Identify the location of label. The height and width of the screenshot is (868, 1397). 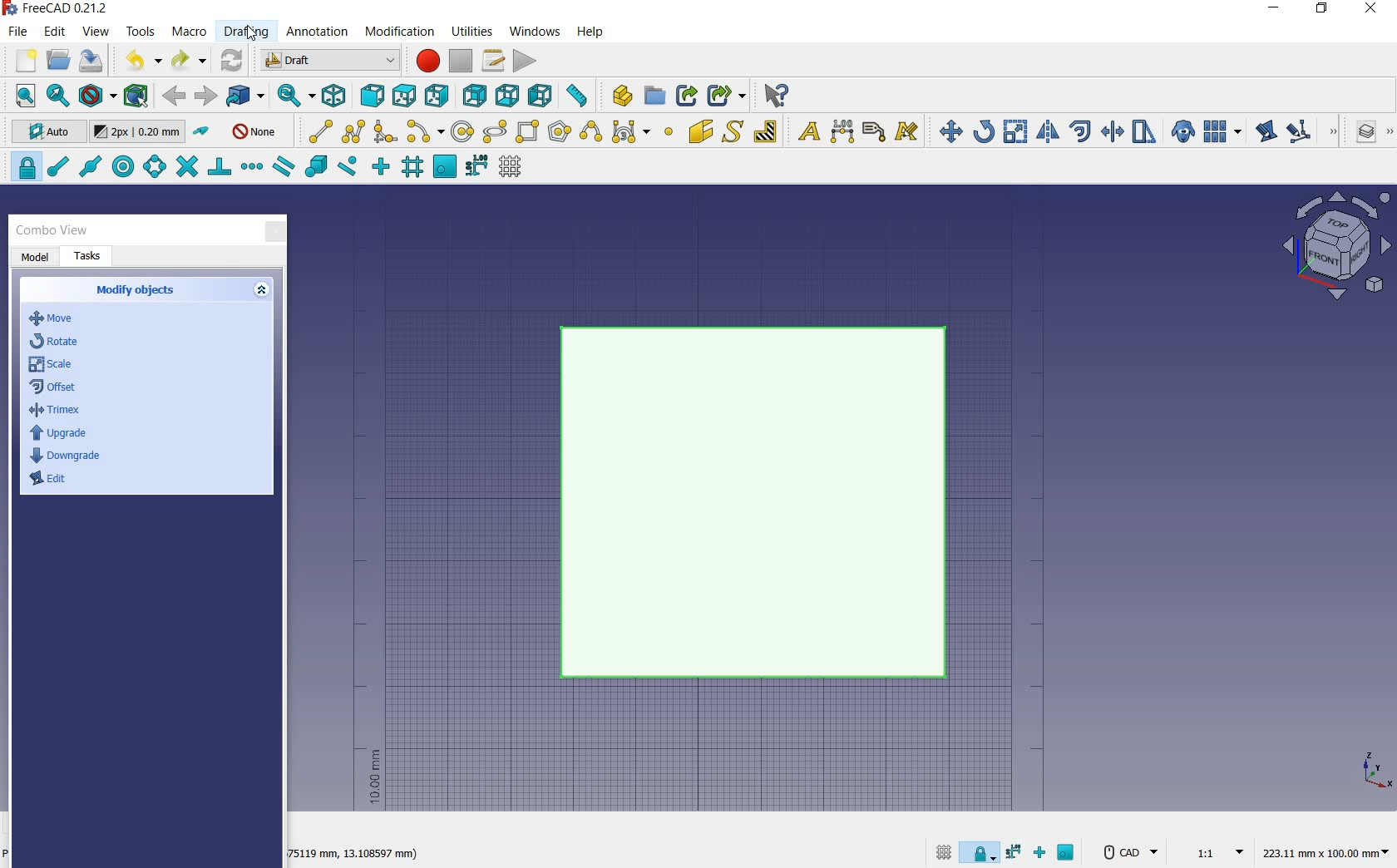
(874, 131).